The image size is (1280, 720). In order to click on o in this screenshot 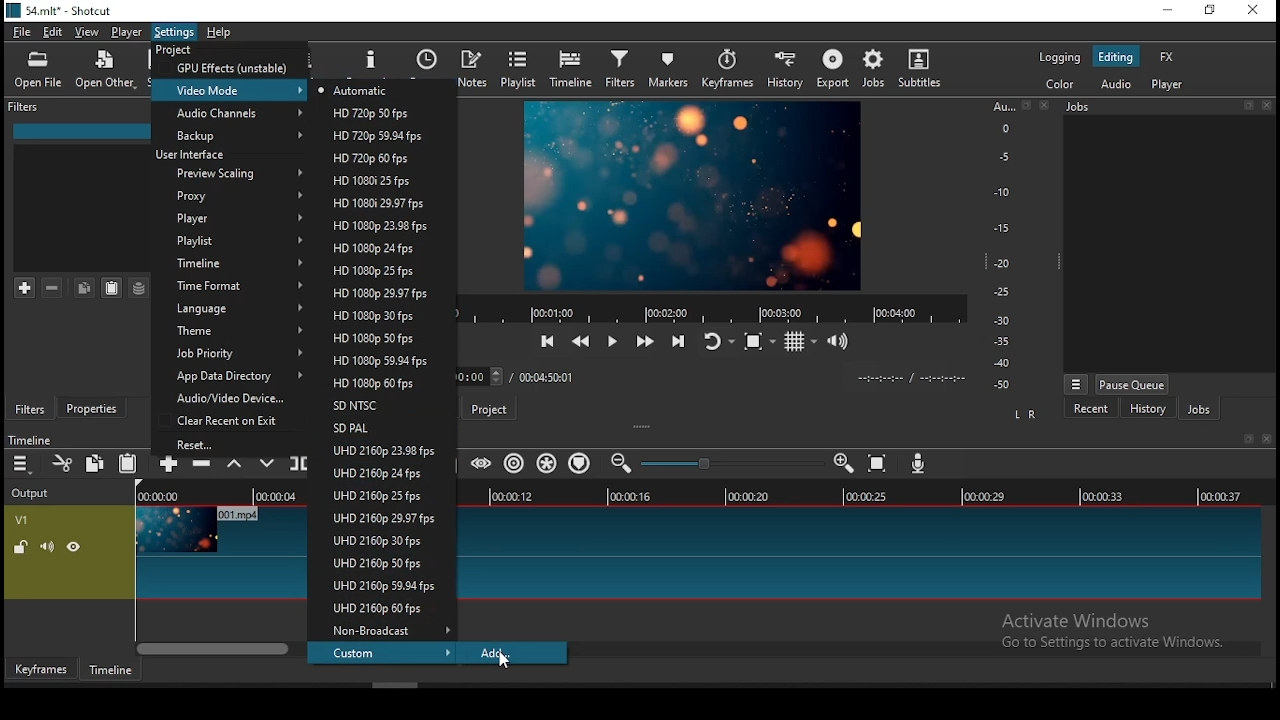, I will do `click(998, 127)`.